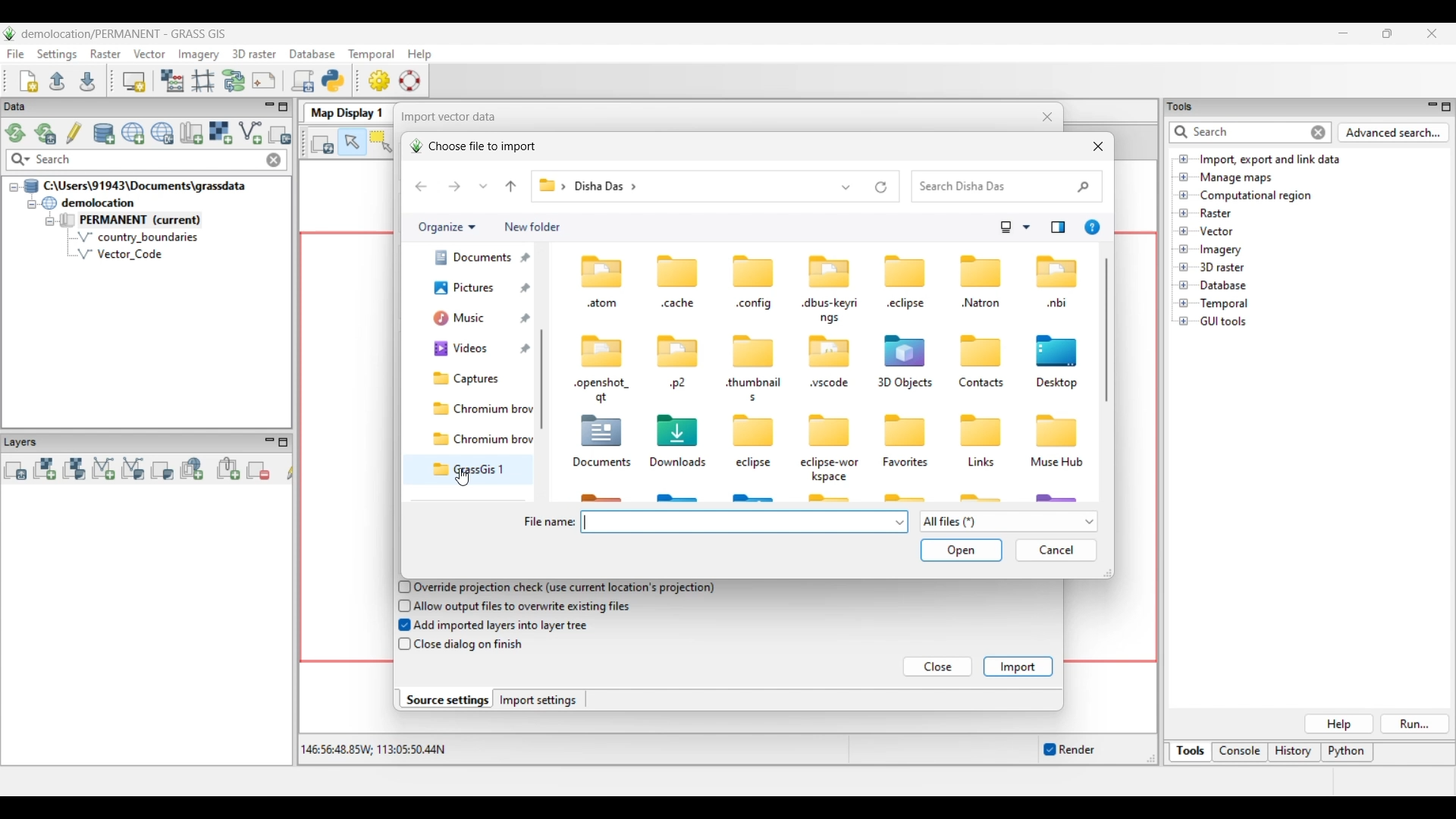 This screenshot has height=819, width=1456. I want to click on music, so click(469, 322).